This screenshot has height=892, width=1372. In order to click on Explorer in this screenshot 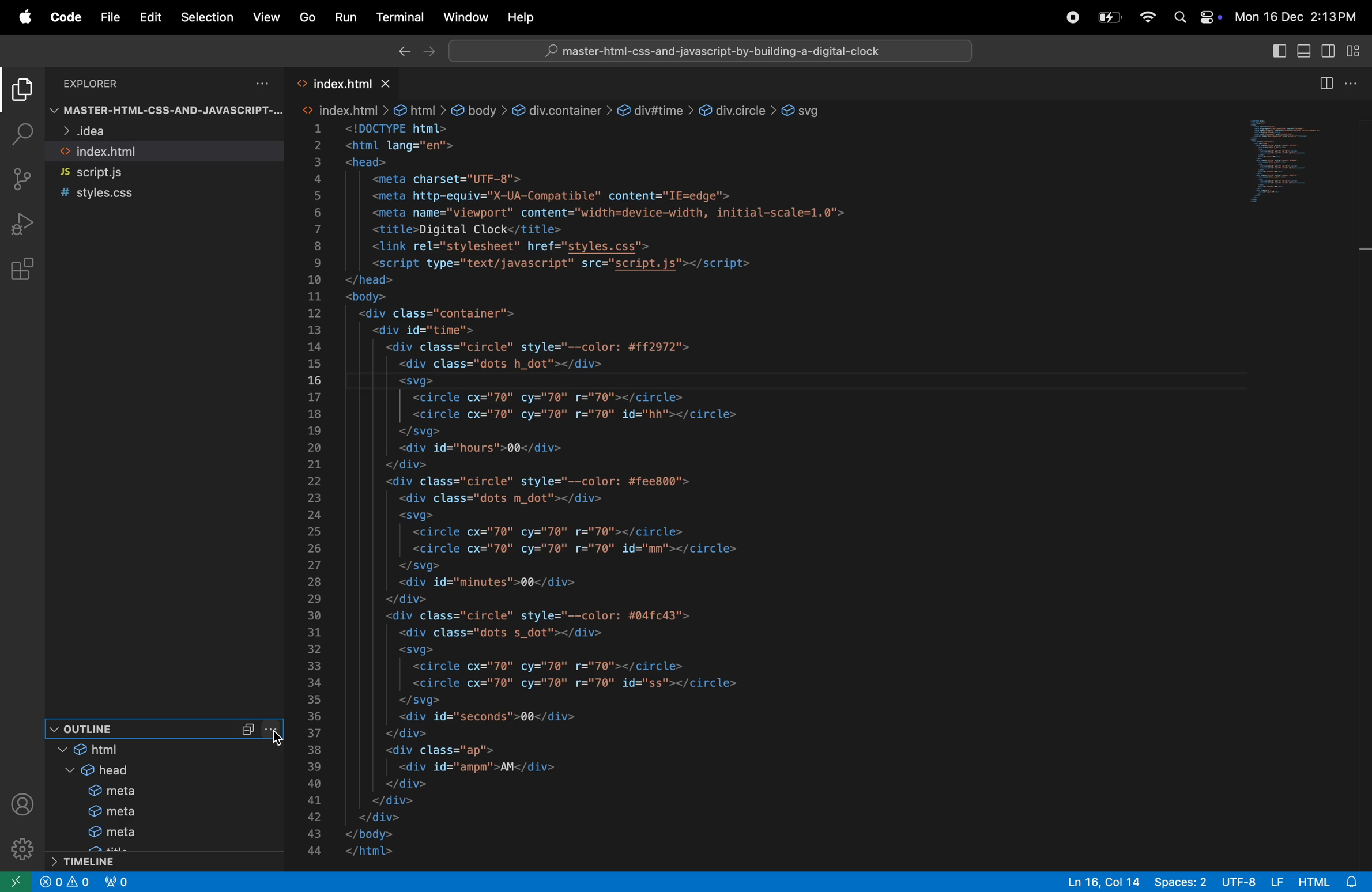, I will do `click(104, 83)`.